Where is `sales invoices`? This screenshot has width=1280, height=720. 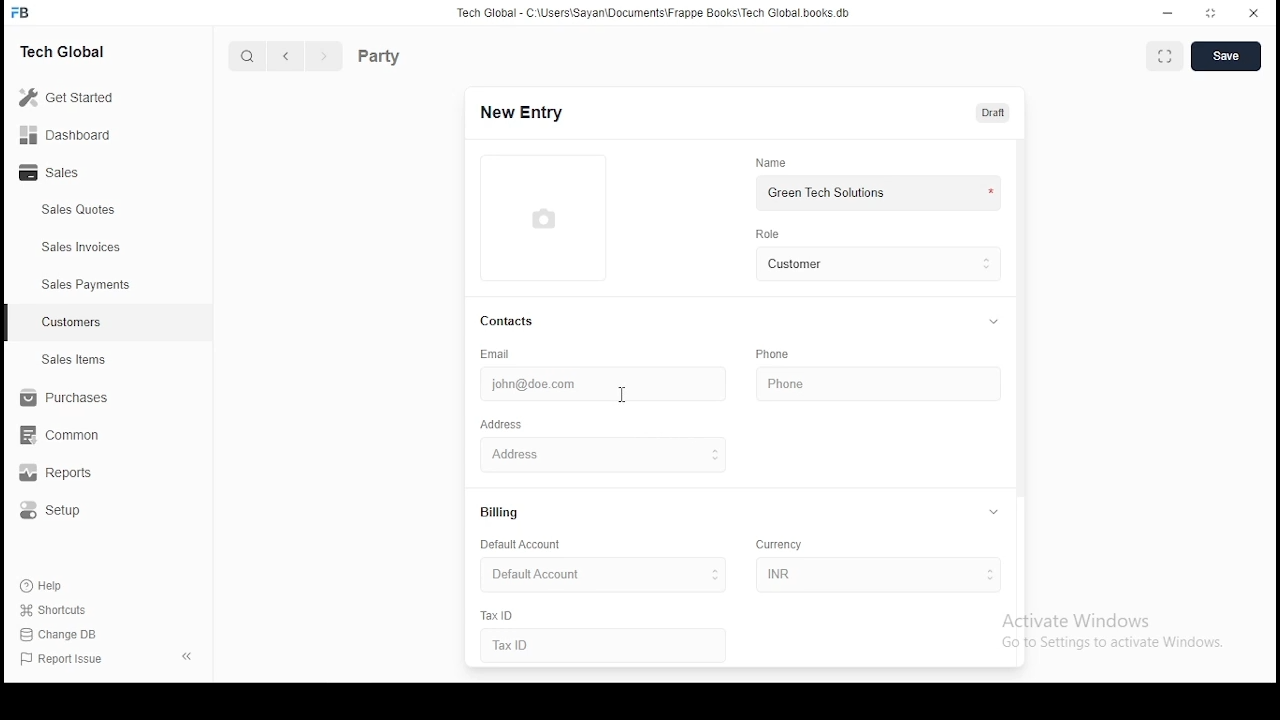 sales invoices is located at coordinates (80, 247).